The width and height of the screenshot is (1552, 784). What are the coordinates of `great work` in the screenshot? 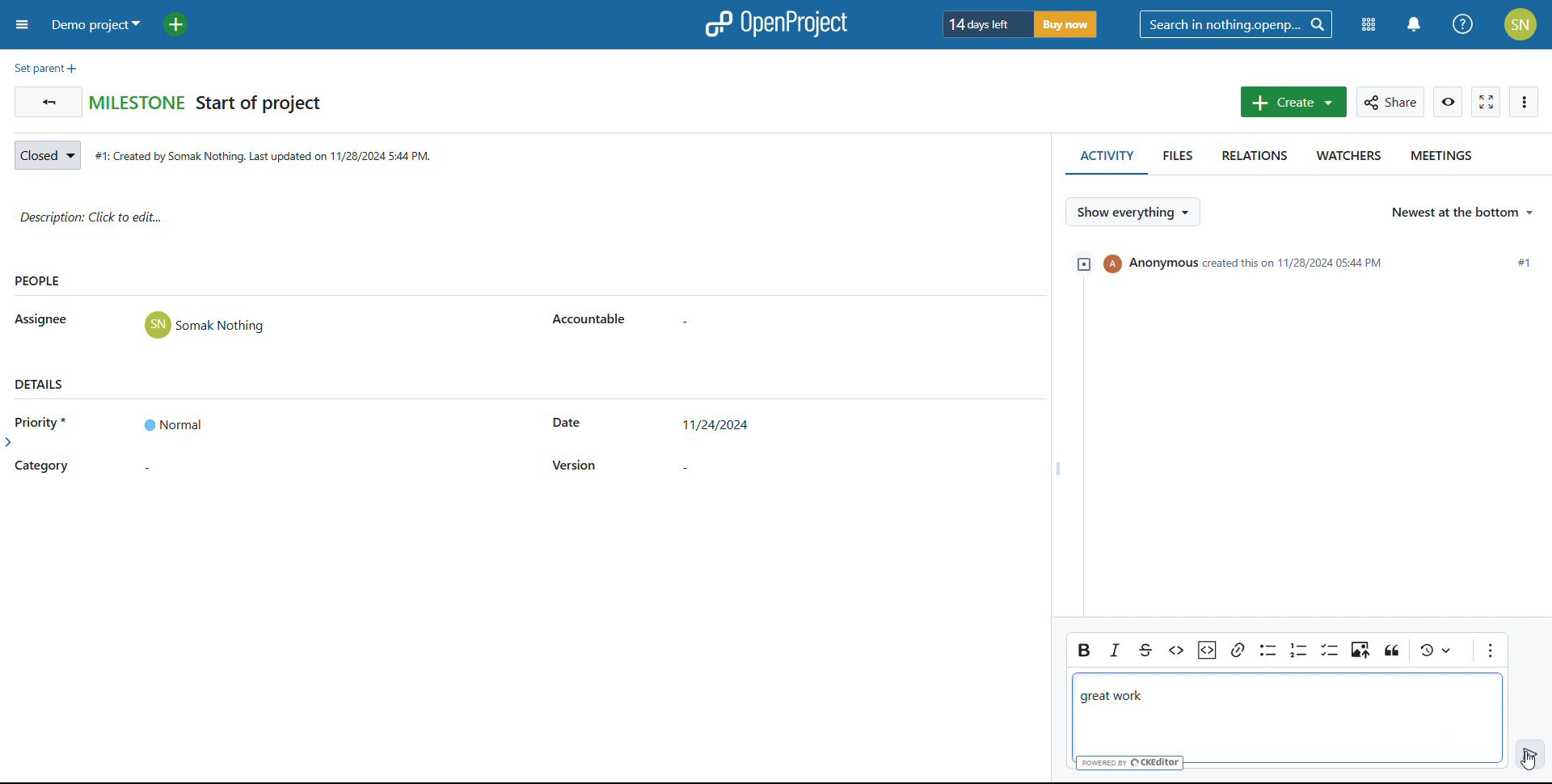 It's located at (1112, 696).